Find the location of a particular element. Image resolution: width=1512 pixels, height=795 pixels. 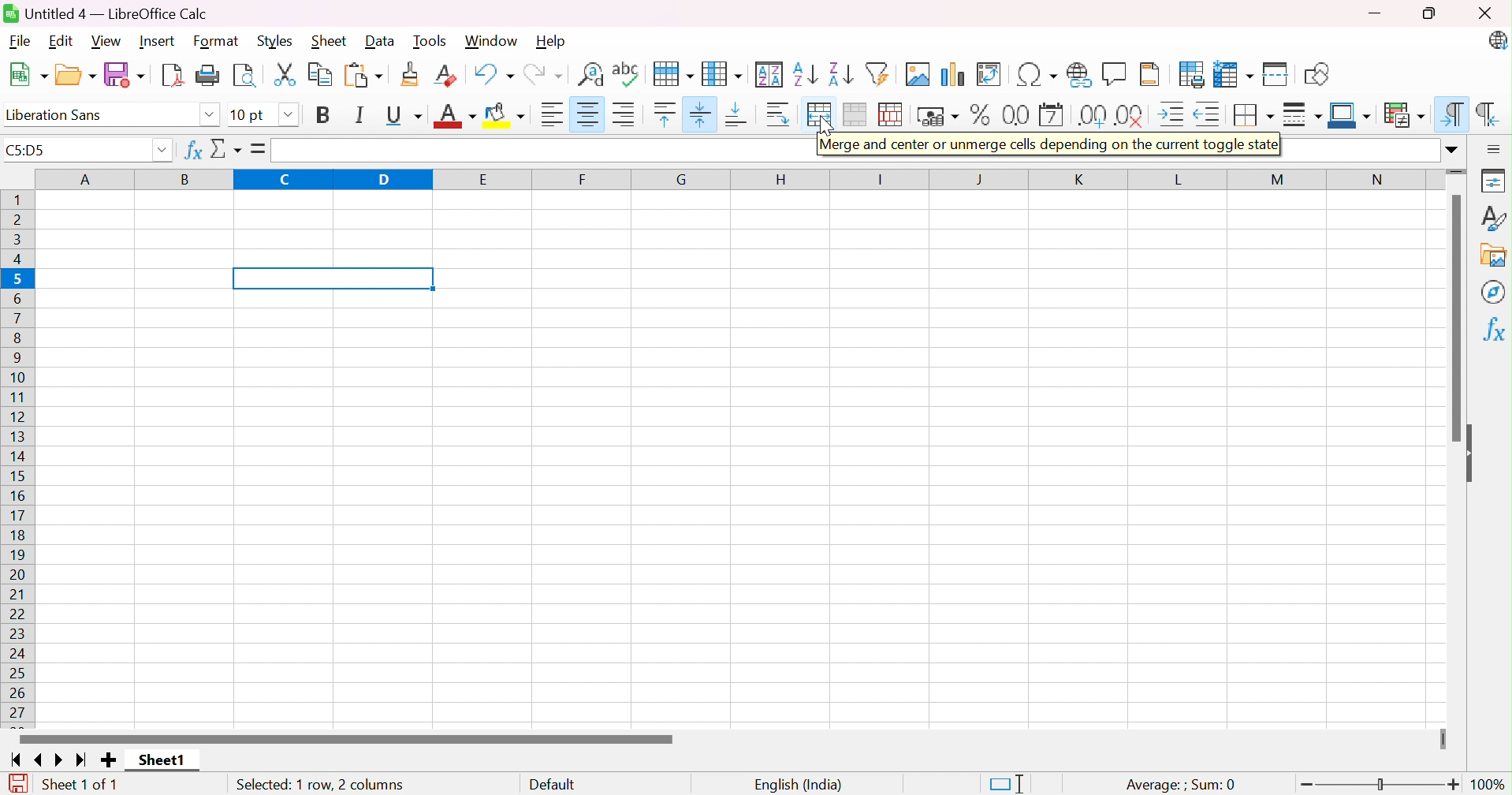

Clone Formatting is located at coordinates (412, 74).